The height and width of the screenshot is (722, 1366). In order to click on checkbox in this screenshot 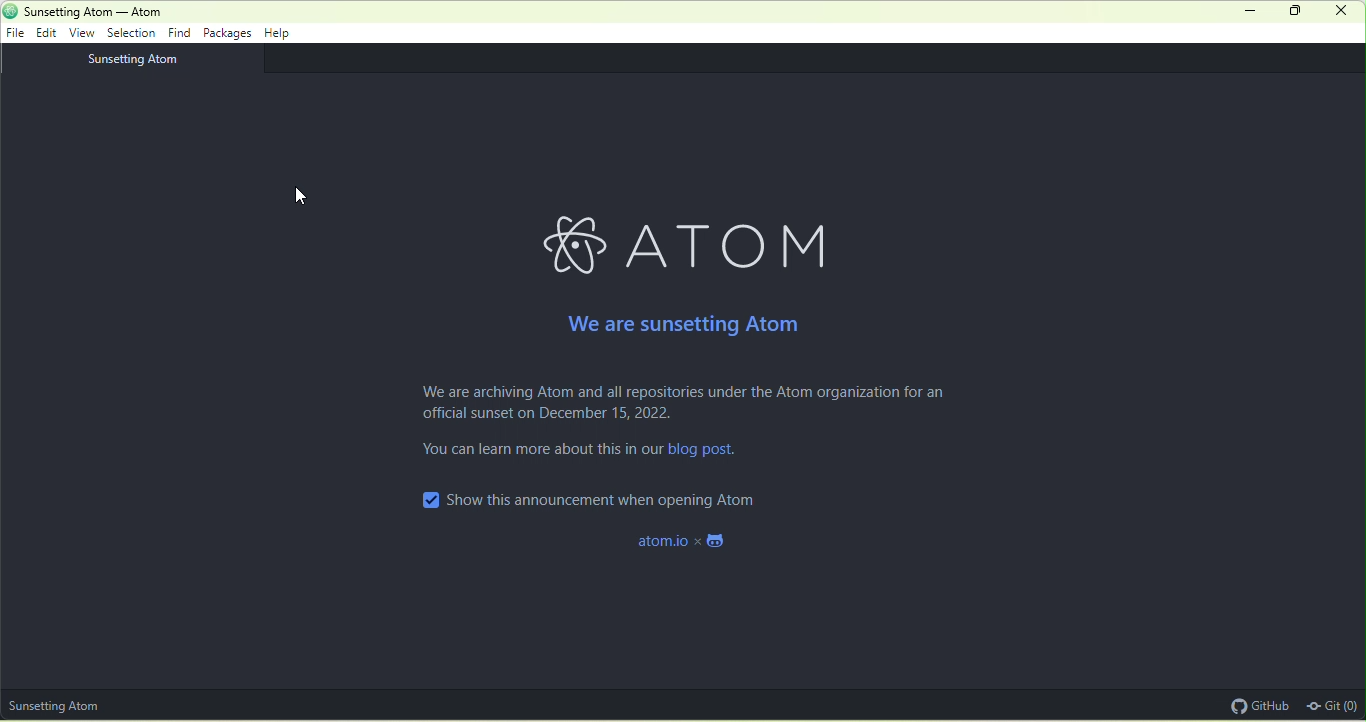, I will do `click(426, 499)`.